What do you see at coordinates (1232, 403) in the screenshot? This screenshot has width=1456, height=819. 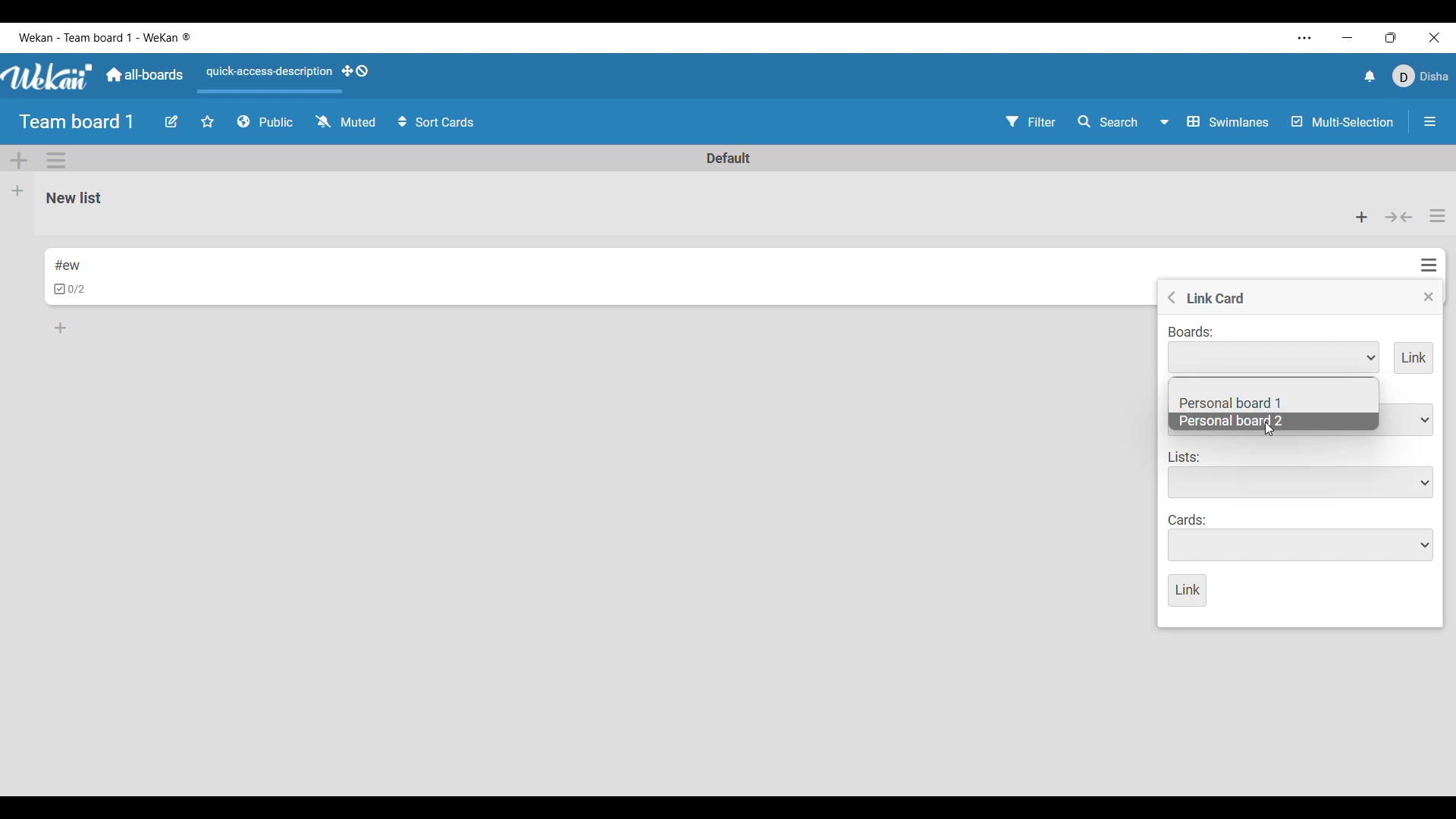 I see `board option` at bounding box center [1232, 403].